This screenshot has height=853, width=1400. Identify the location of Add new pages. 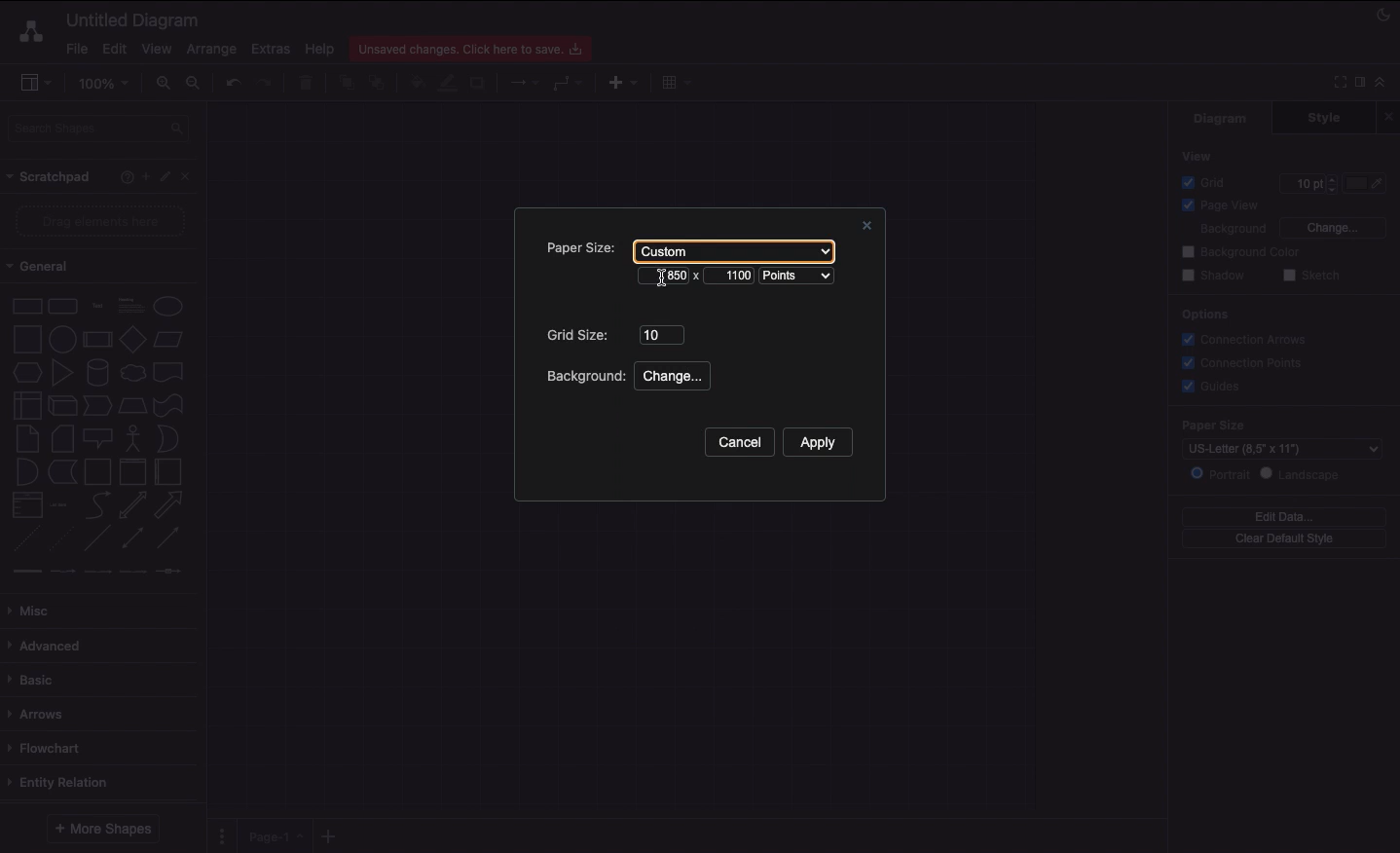
(331, 837).